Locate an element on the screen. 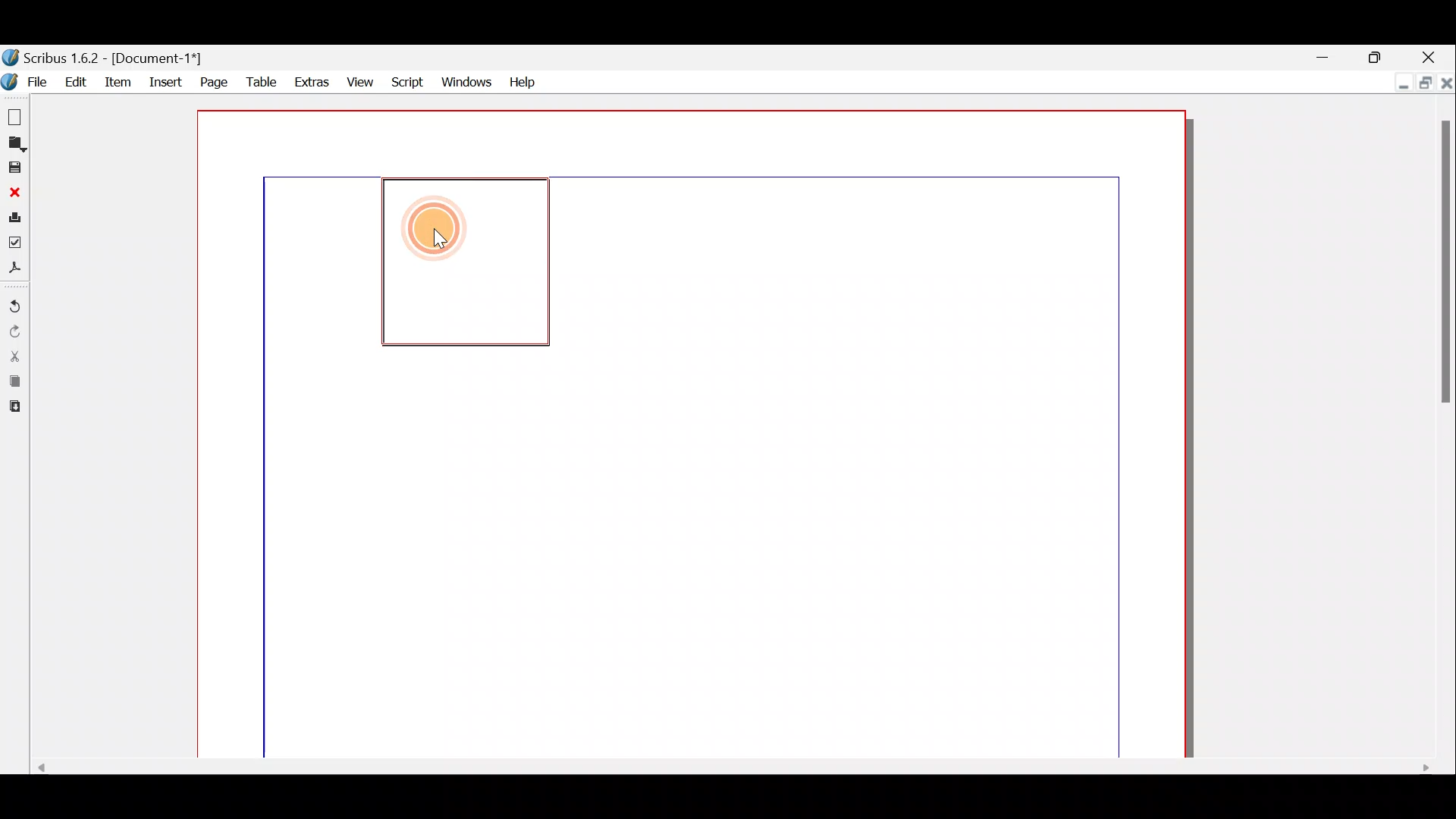 This screenshot has width=1456, height=819. Edit is located at coordinates (77, 81).